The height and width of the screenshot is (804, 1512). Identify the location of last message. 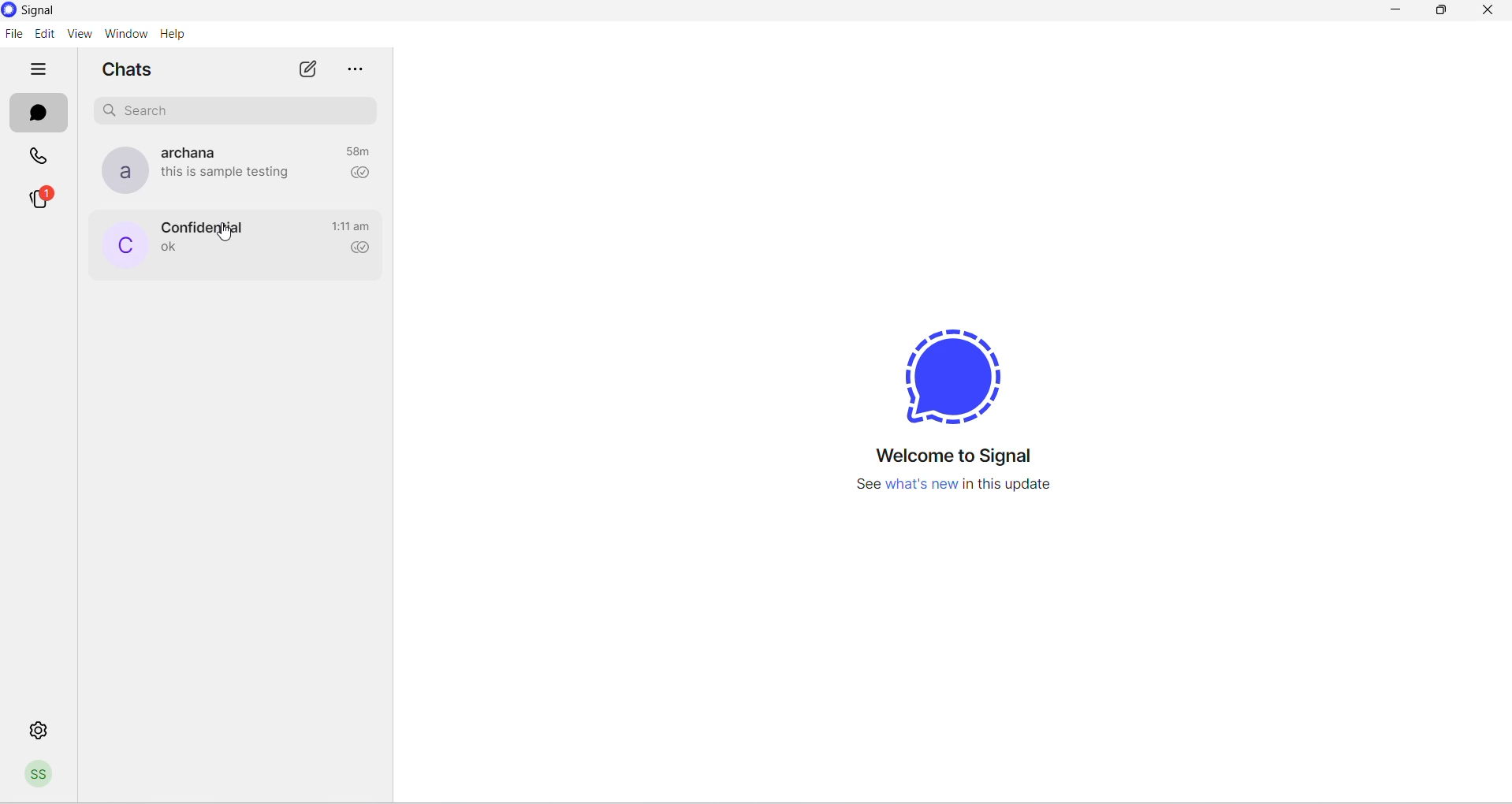
(170, 248).